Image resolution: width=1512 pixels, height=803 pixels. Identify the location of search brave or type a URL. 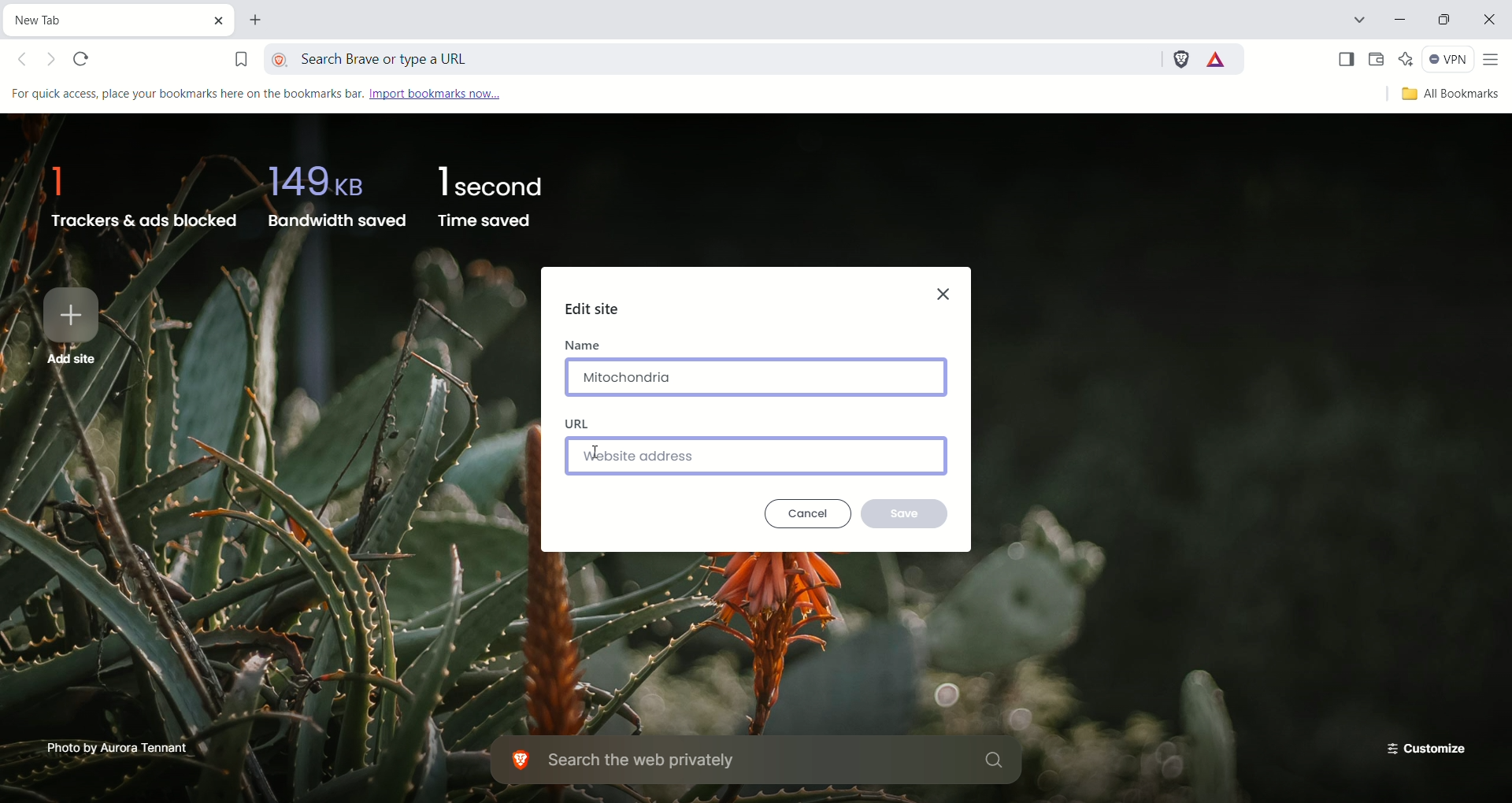
(714, 56).